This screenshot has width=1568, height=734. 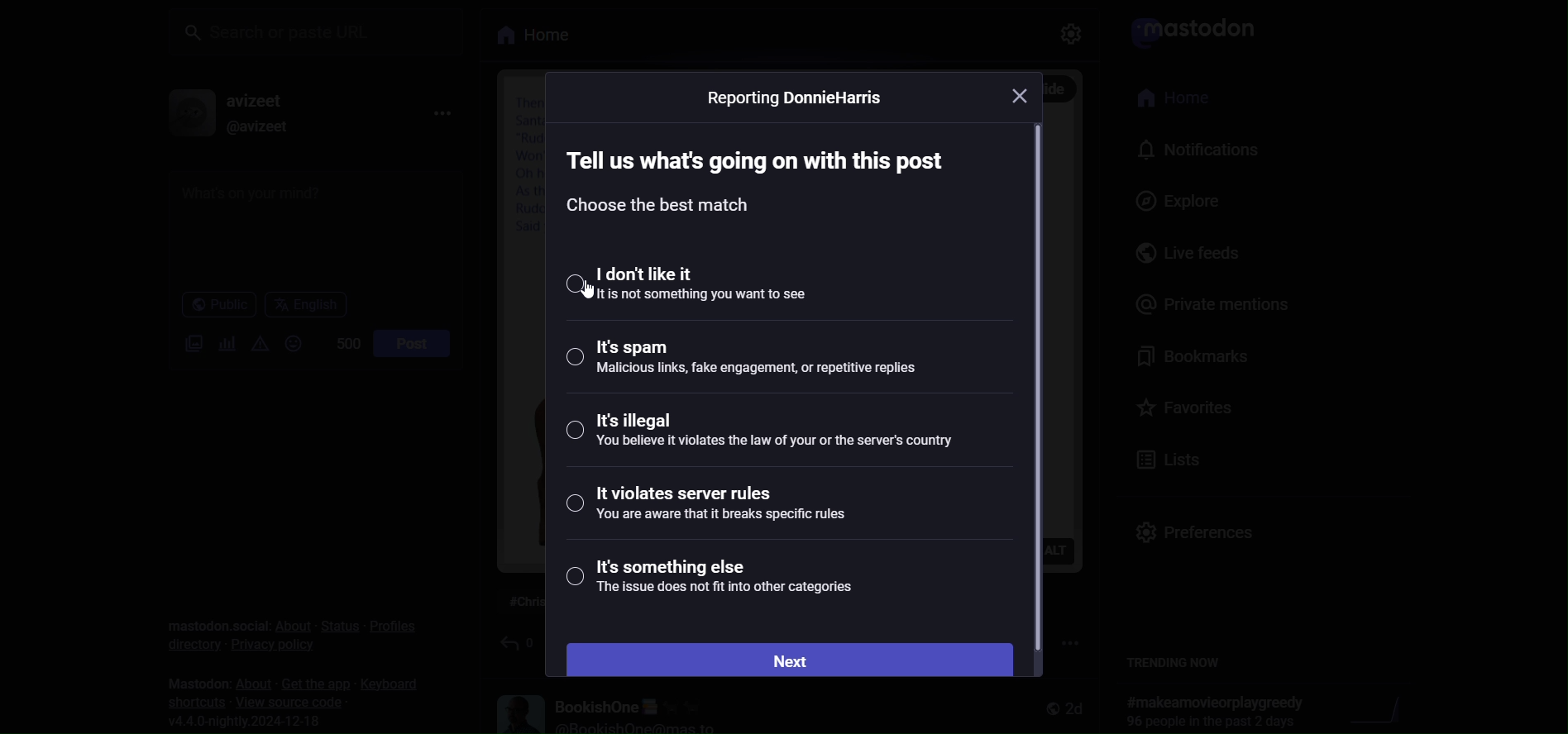 What do you see at coordinates (336, 626) in the screenshot?
I see `status` at bounding box center [336, 626].